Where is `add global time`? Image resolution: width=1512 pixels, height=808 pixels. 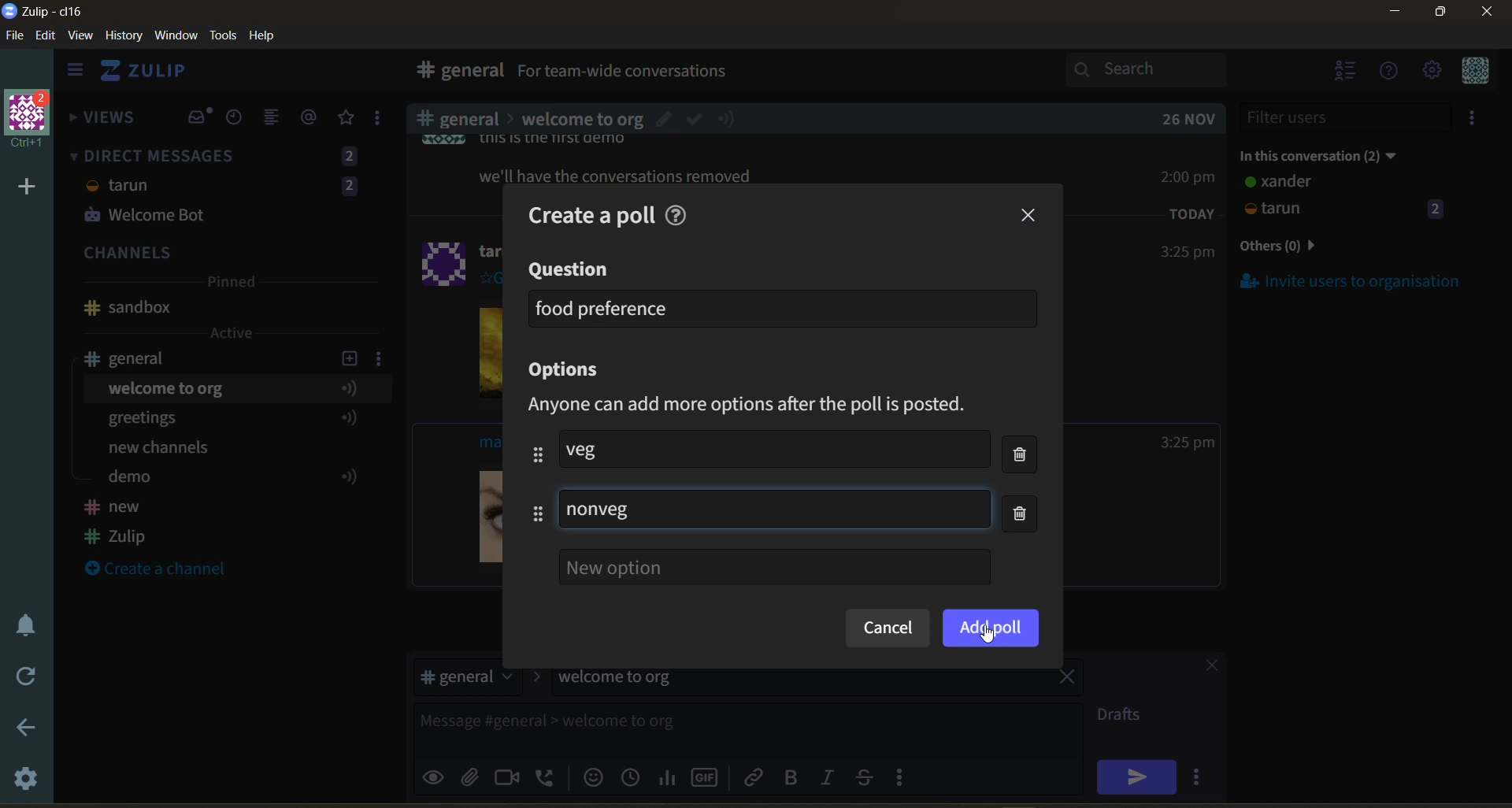
add global time is located at coordinates (634, 776).